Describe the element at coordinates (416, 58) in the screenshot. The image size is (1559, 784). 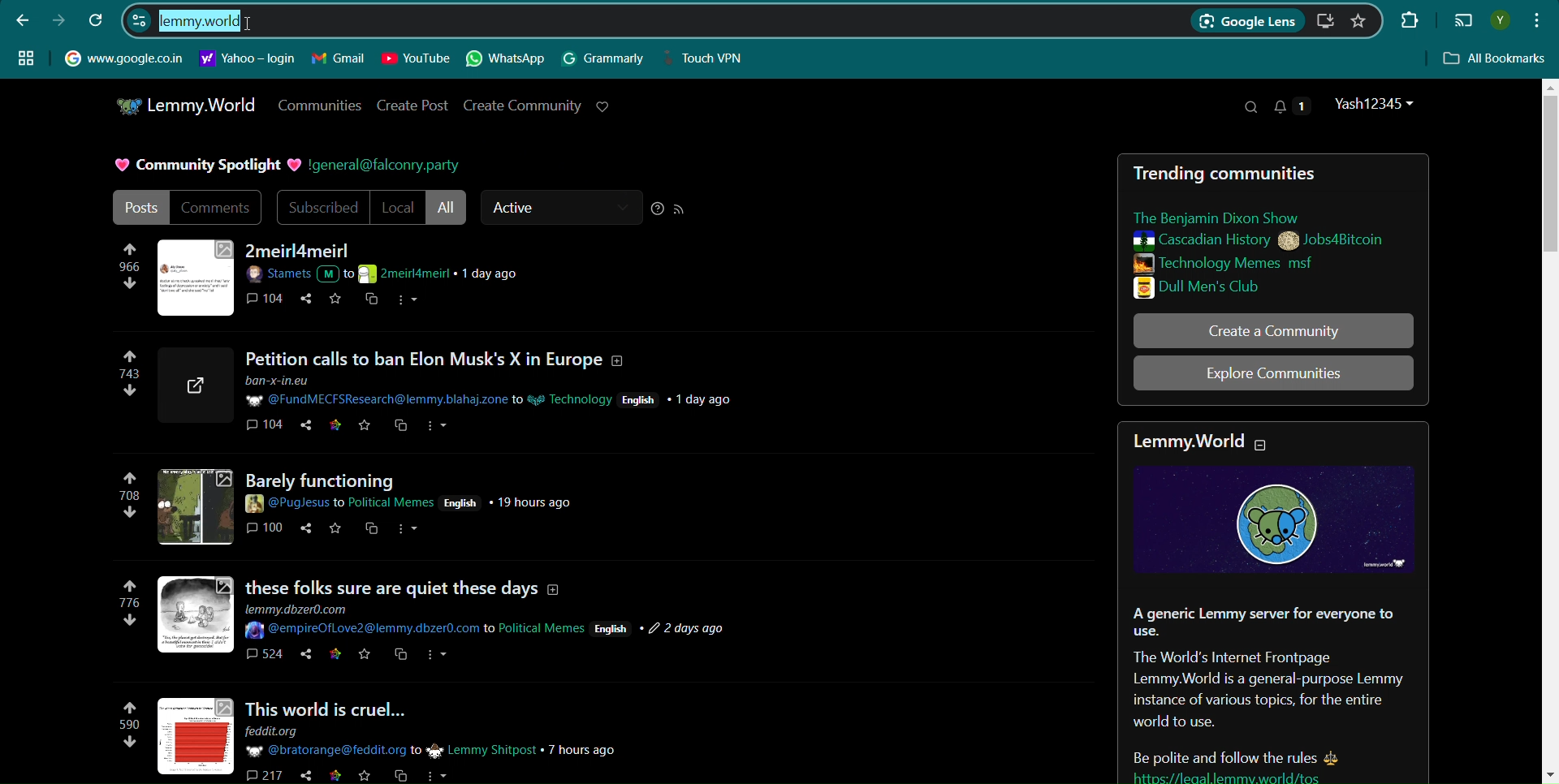
I see `Youtube` at that location.